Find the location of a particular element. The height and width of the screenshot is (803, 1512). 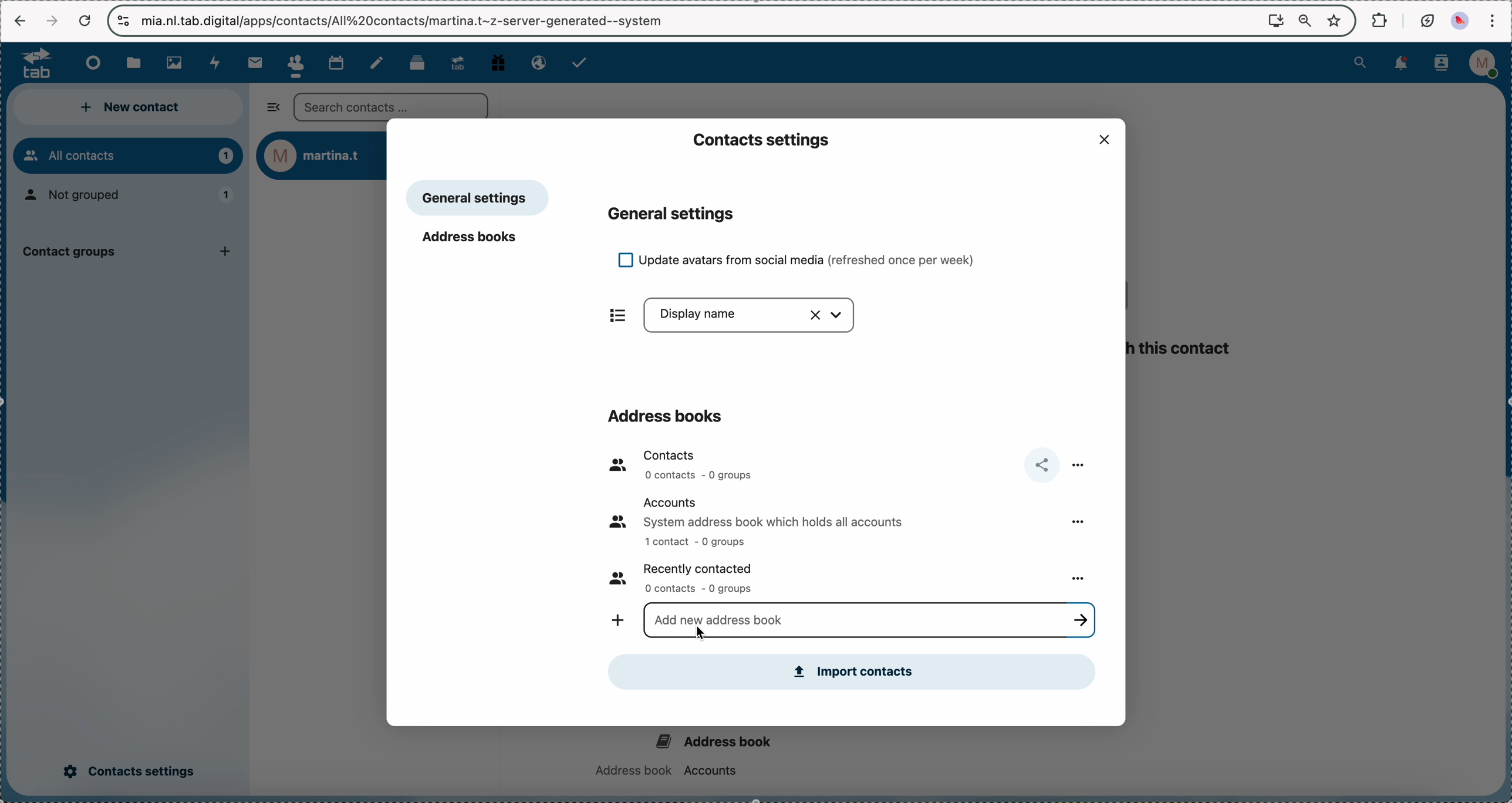

navigate back is located at coordinates (18, 19).